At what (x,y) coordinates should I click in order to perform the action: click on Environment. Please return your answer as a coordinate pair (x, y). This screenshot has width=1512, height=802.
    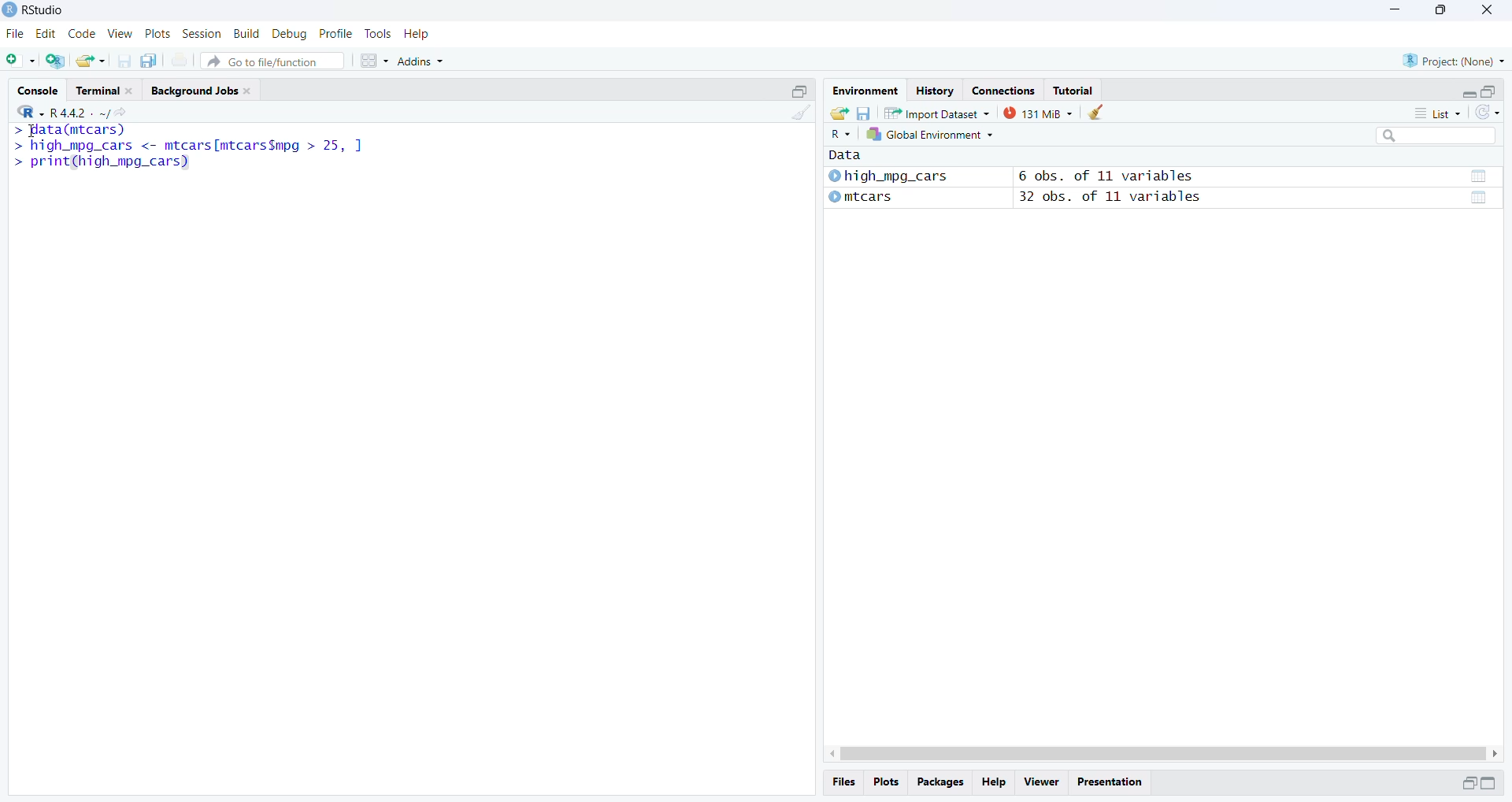
    Looking at the image, I should click on (863, 89).